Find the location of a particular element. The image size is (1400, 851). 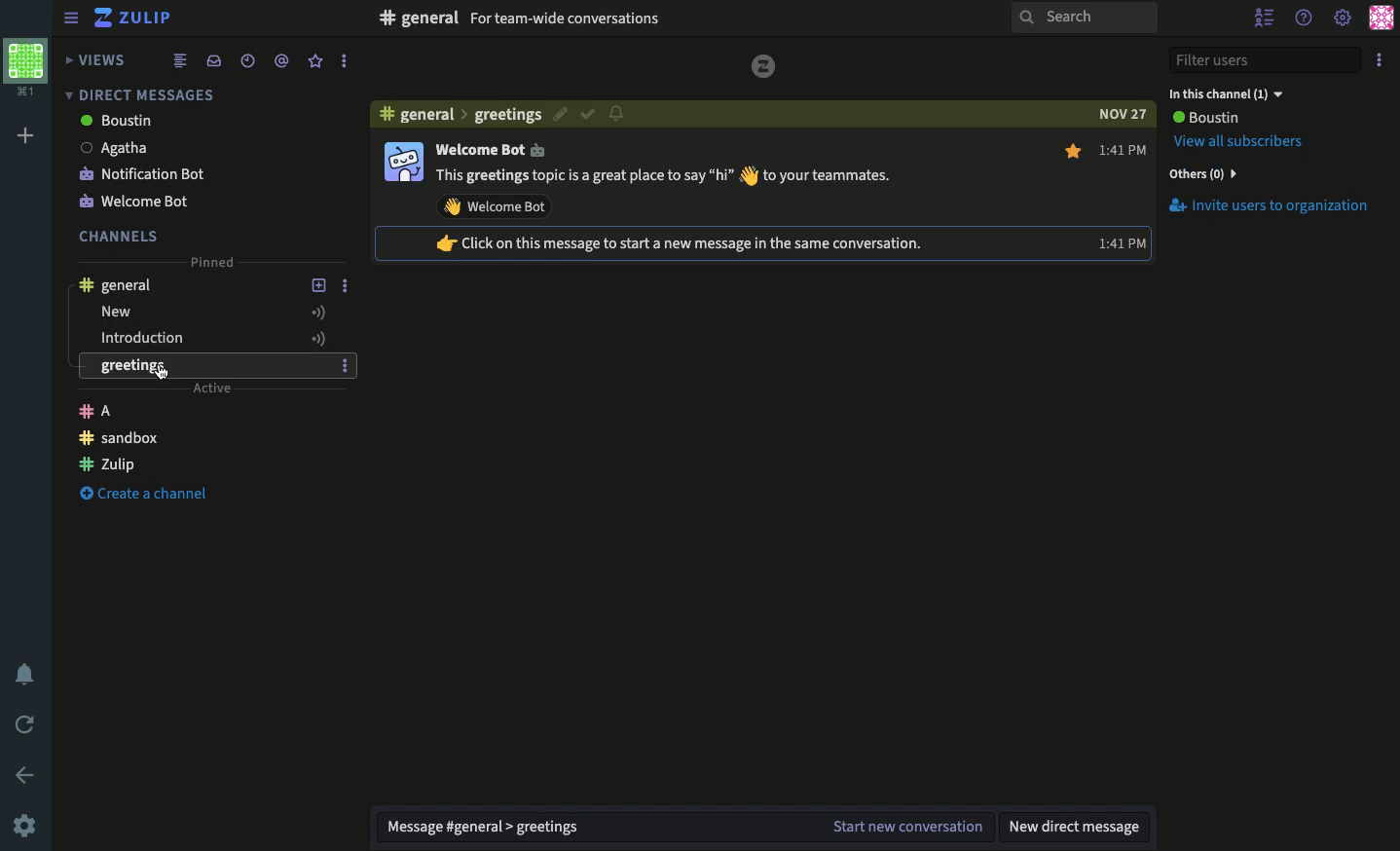

Time is located at coordinates (245, 60).